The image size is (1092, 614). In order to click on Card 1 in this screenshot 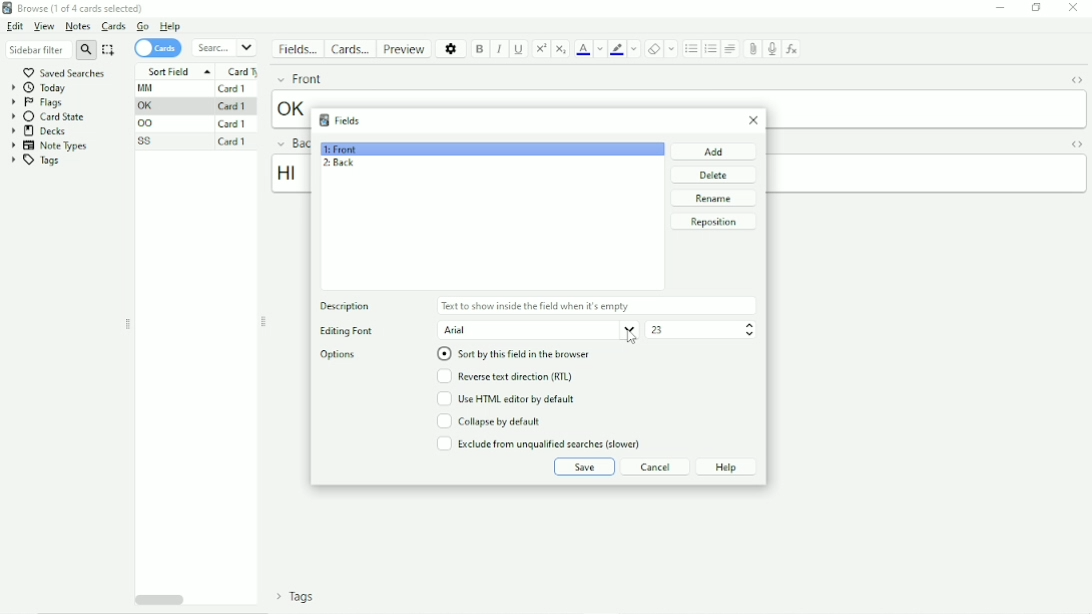, I will do `click(234, 88)`.